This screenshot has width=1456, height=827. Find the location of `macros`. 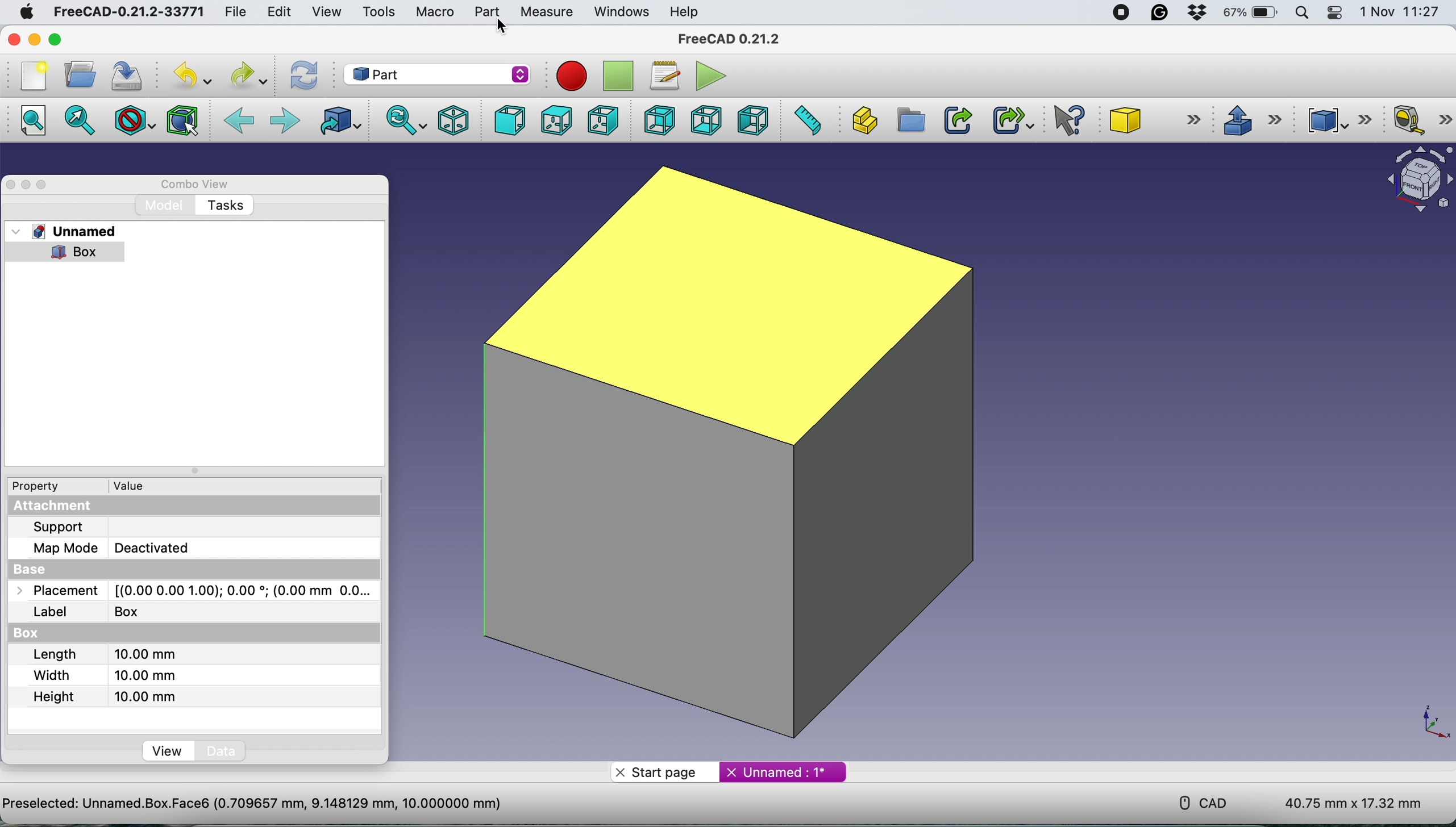

macros is located at coordinates (662, 73).